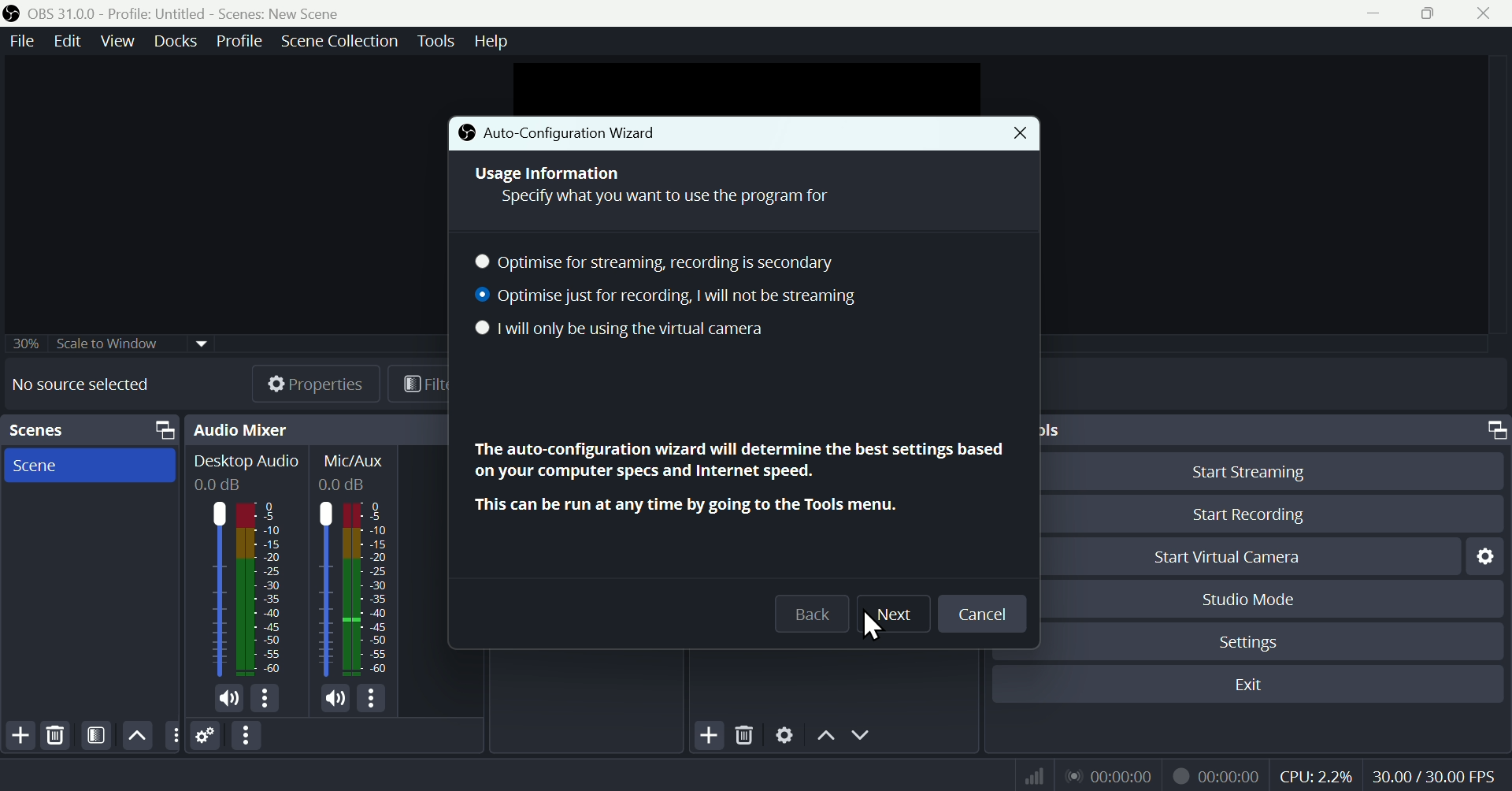 The image size is (1512, 791). I want to click on Filters, so click(94, 736).